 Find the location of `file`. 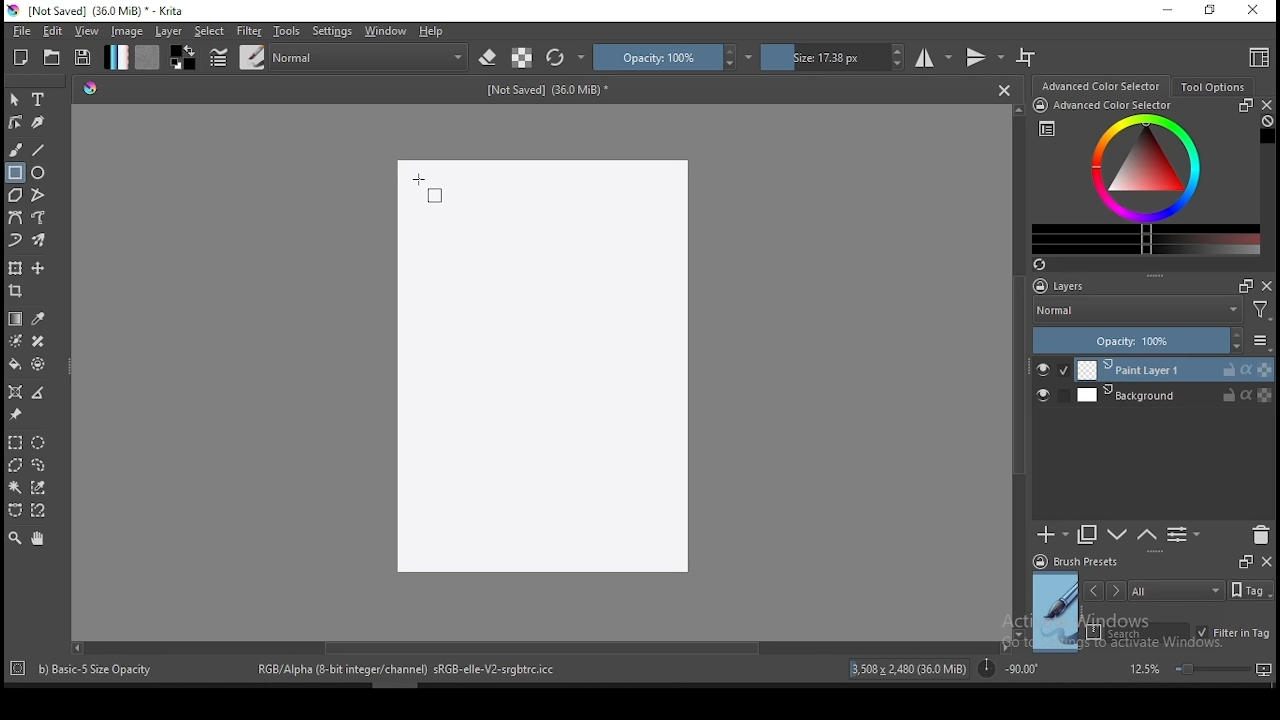

file is located at coordinates (21, 31).